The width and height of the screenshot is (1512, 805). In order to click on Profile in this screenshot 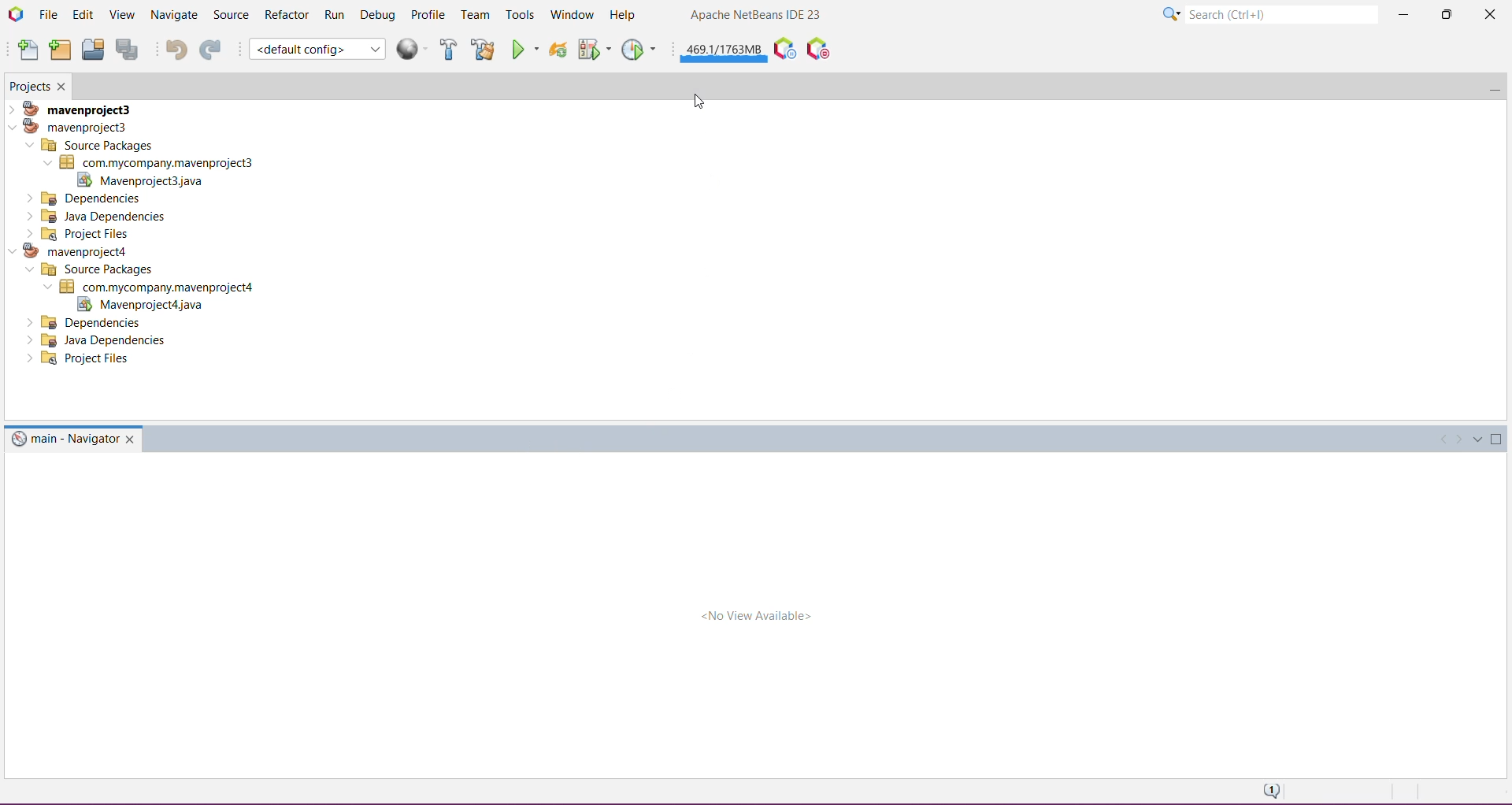, I will do `click(429, 15)`.